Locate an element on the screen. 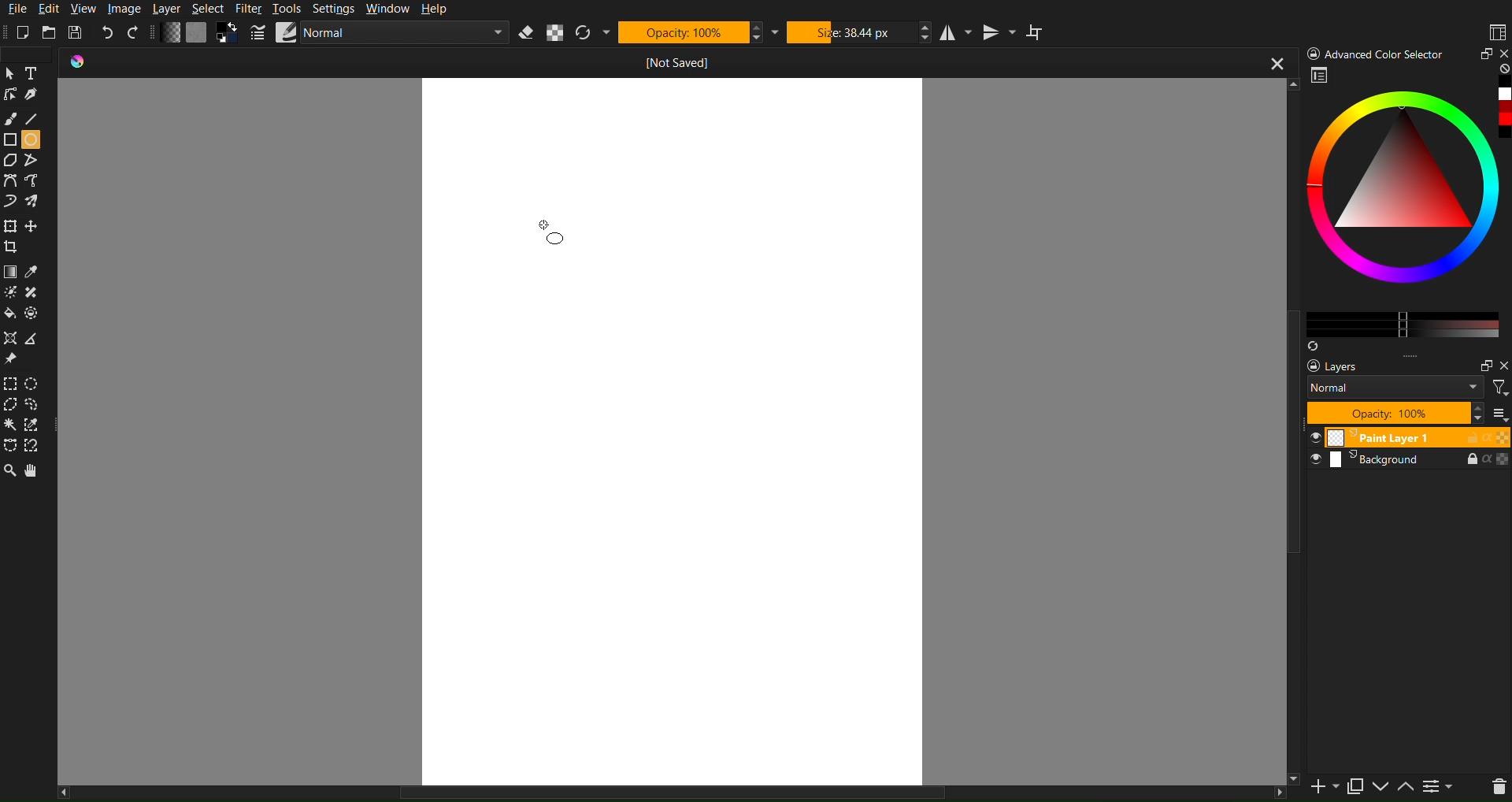  Shape is located at coordinates (30, 313).